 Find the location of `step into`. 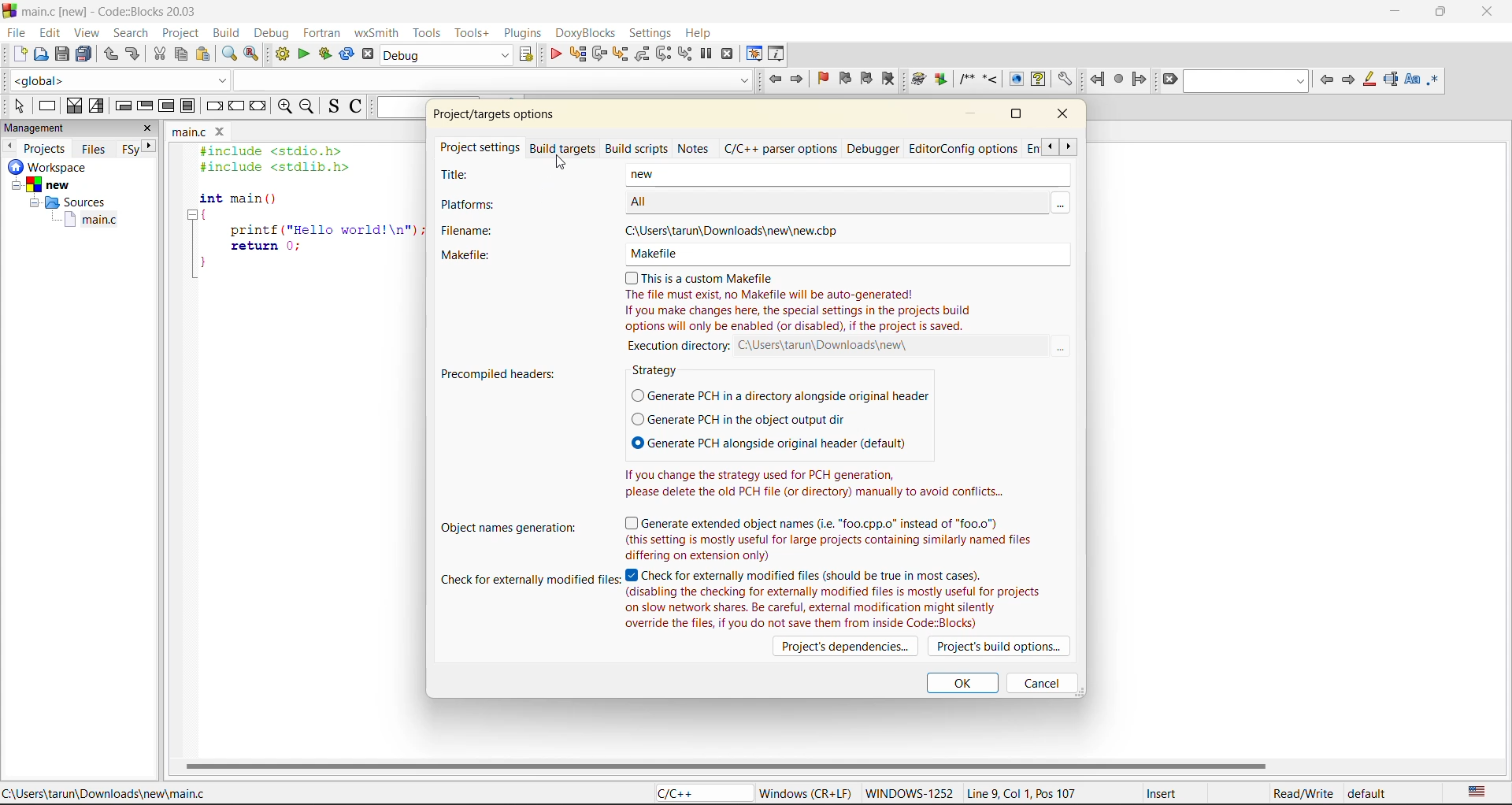

step into is located at coordinates (621, 54).